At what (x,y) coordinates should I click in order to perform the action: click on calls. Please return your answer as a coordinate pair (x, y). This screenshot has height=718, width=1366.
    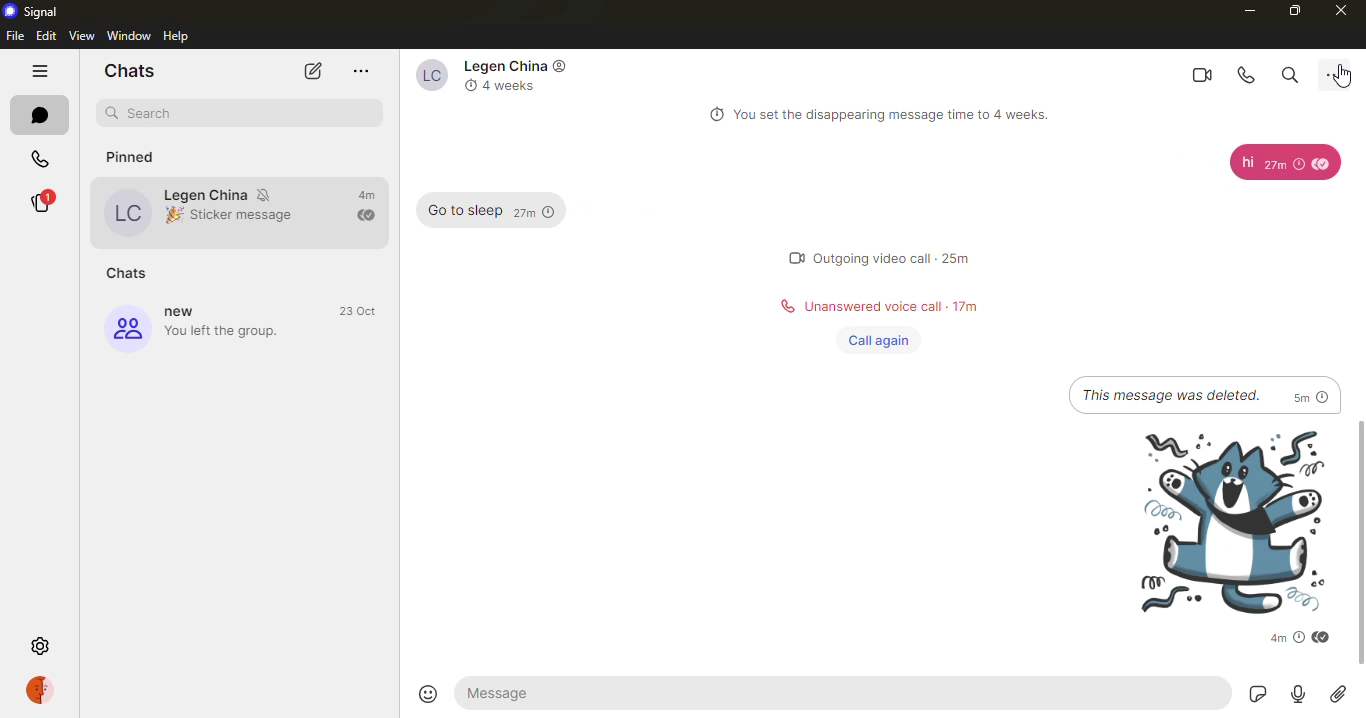
    Looking at the image, I should click on (40, 158).